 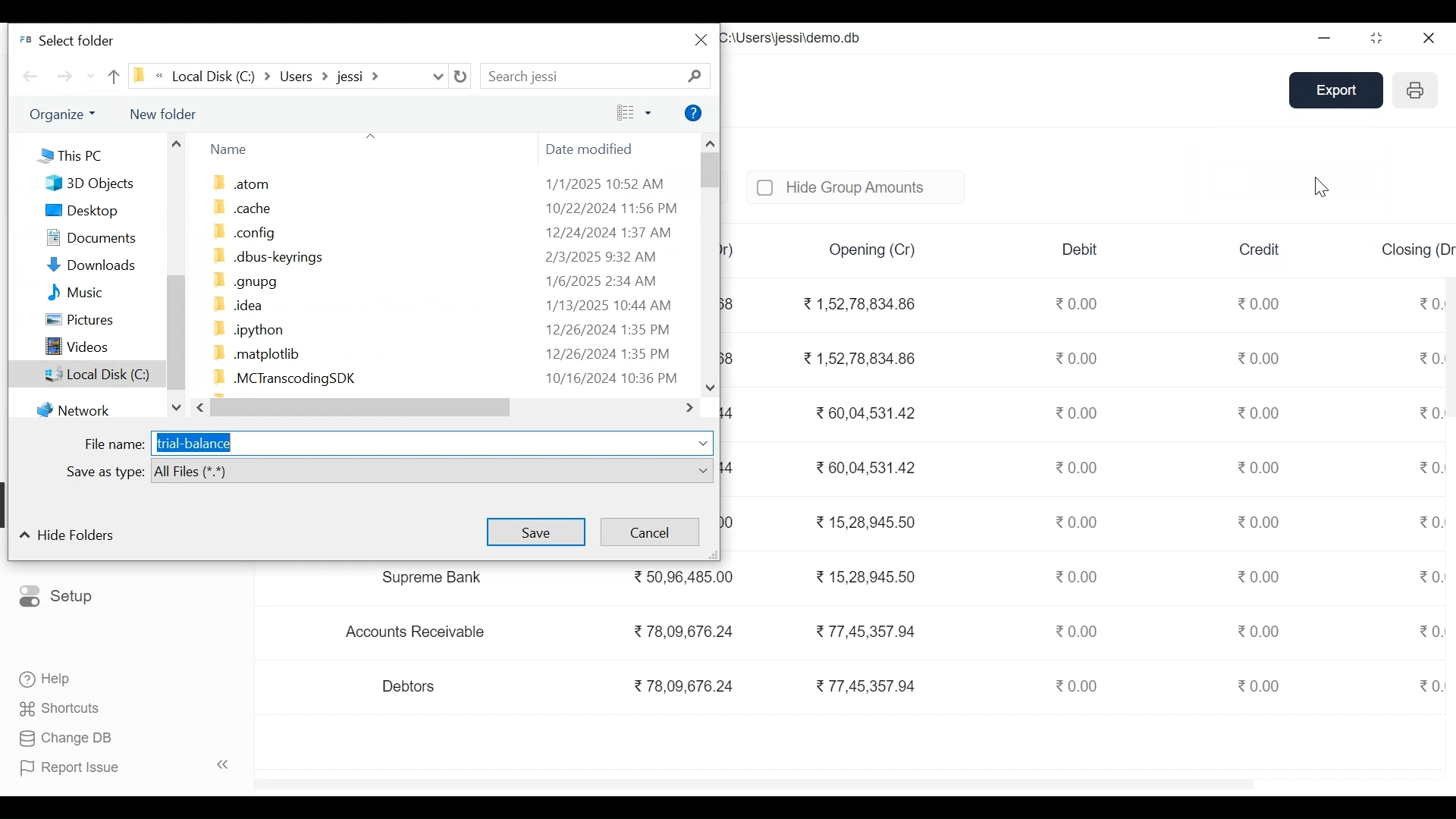 What do you see at coordinates (874, 250) in the screenshot?
I see `Opening (Cr)` at bounding box center [874, 250].